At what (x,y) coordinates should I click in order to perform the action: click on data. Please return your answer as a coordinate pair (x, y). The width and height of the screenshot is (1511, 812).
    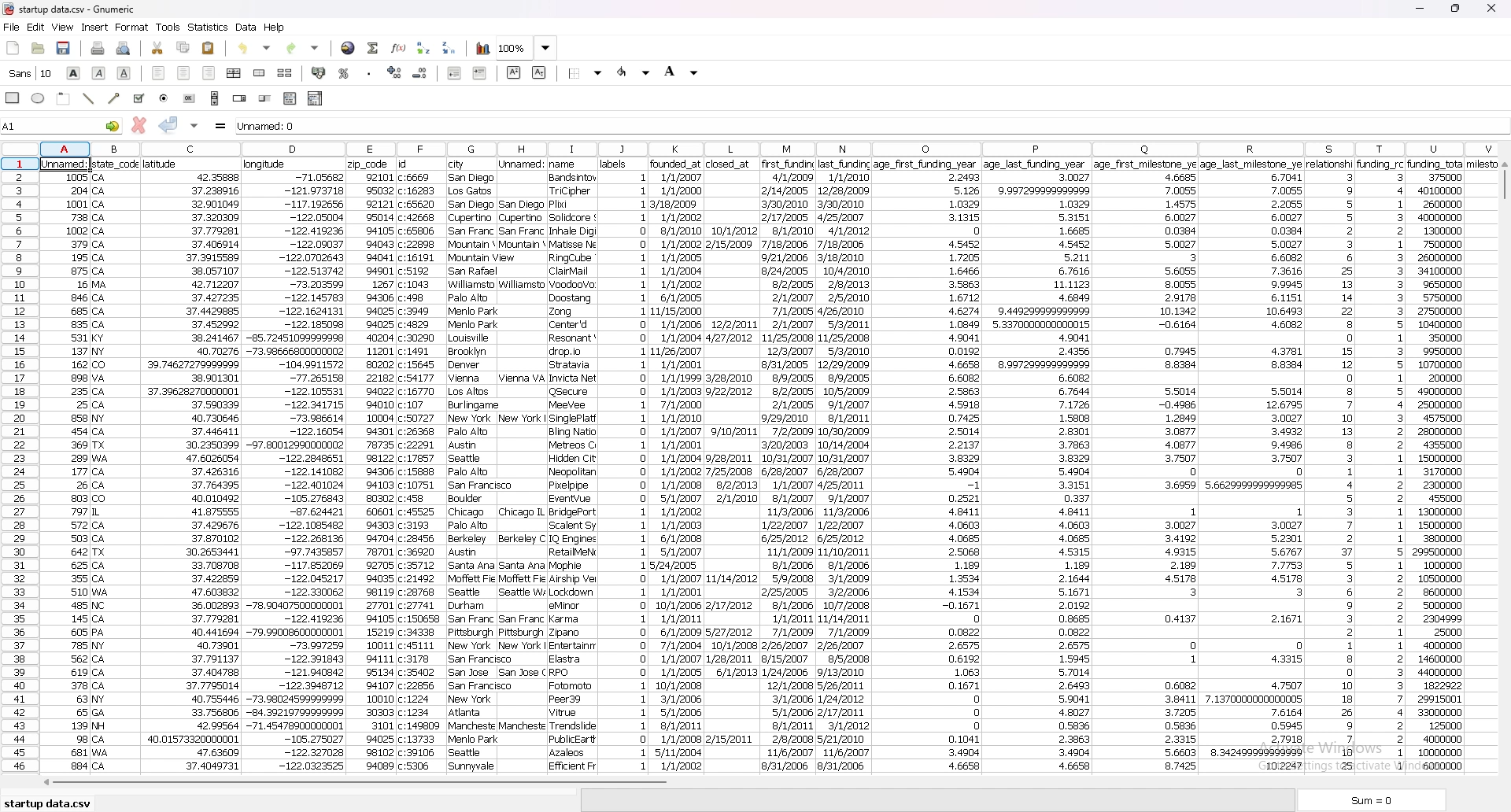
    Looking at the image, I should click on (1036, 466).